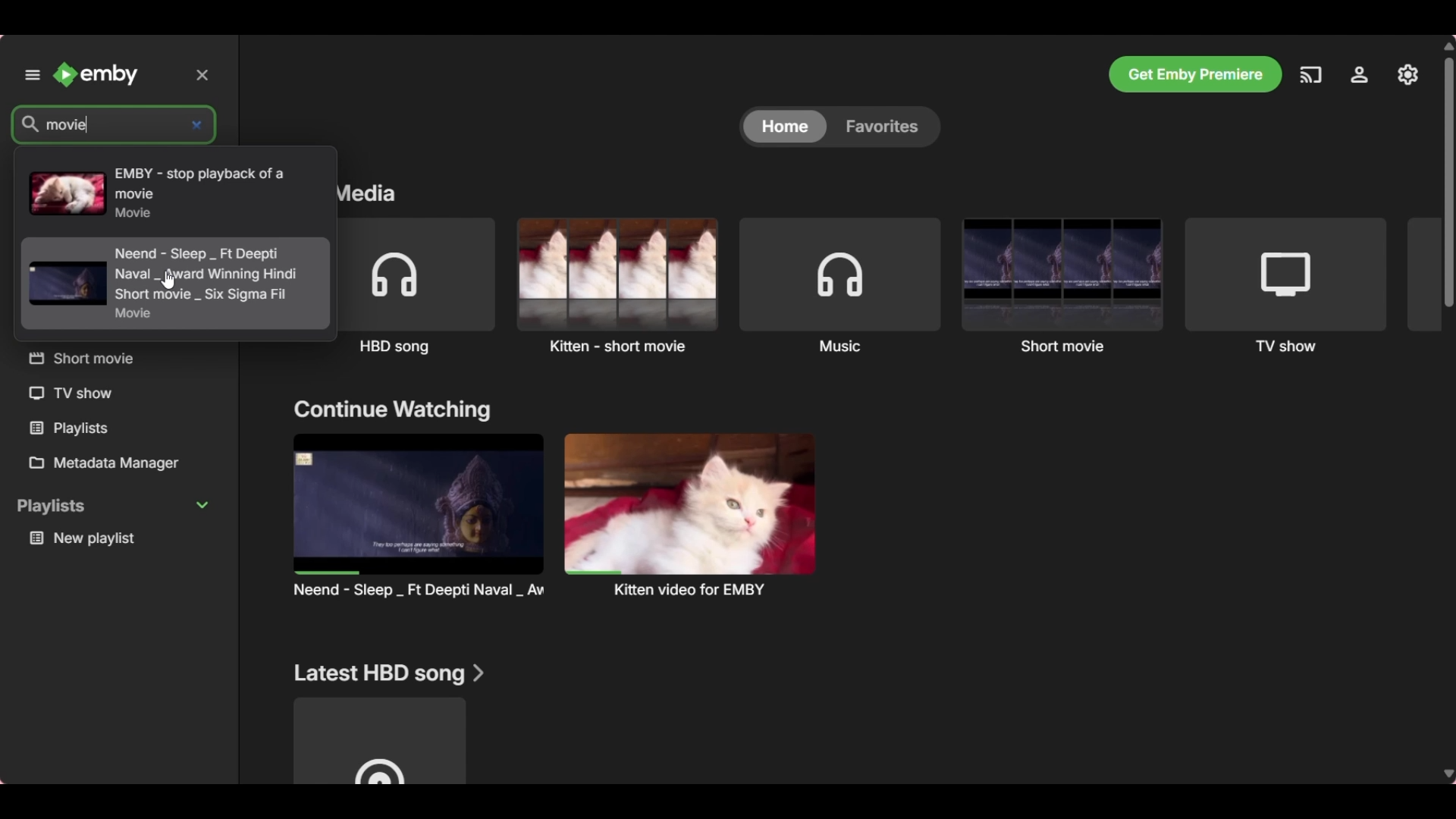 The height and width of the screenshot is (819, 1456). Describe the element at coordinates (119, 463) in the screenshot. I see `Metadata manager` at that location.